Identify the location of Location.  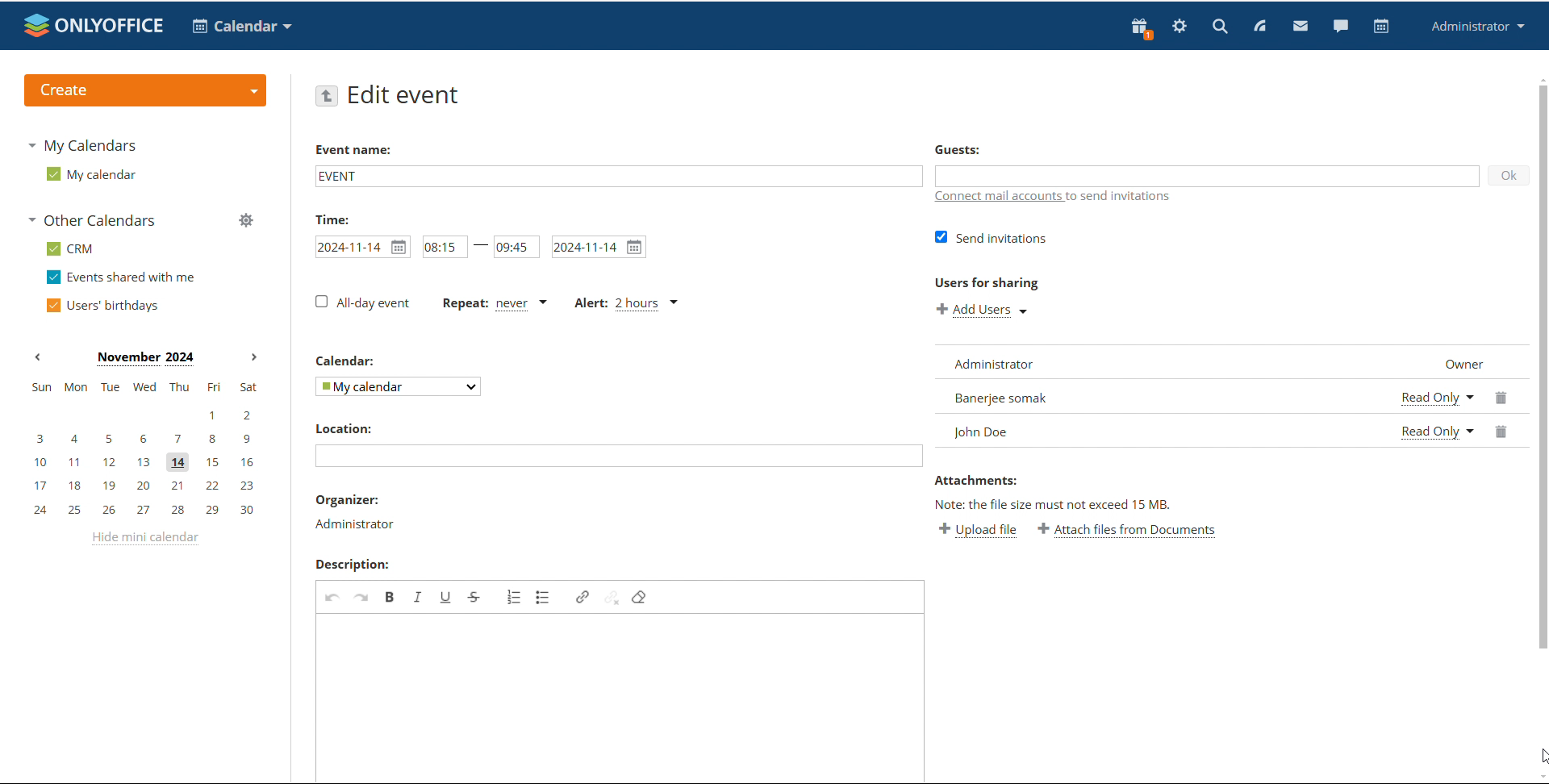
(348, 427).